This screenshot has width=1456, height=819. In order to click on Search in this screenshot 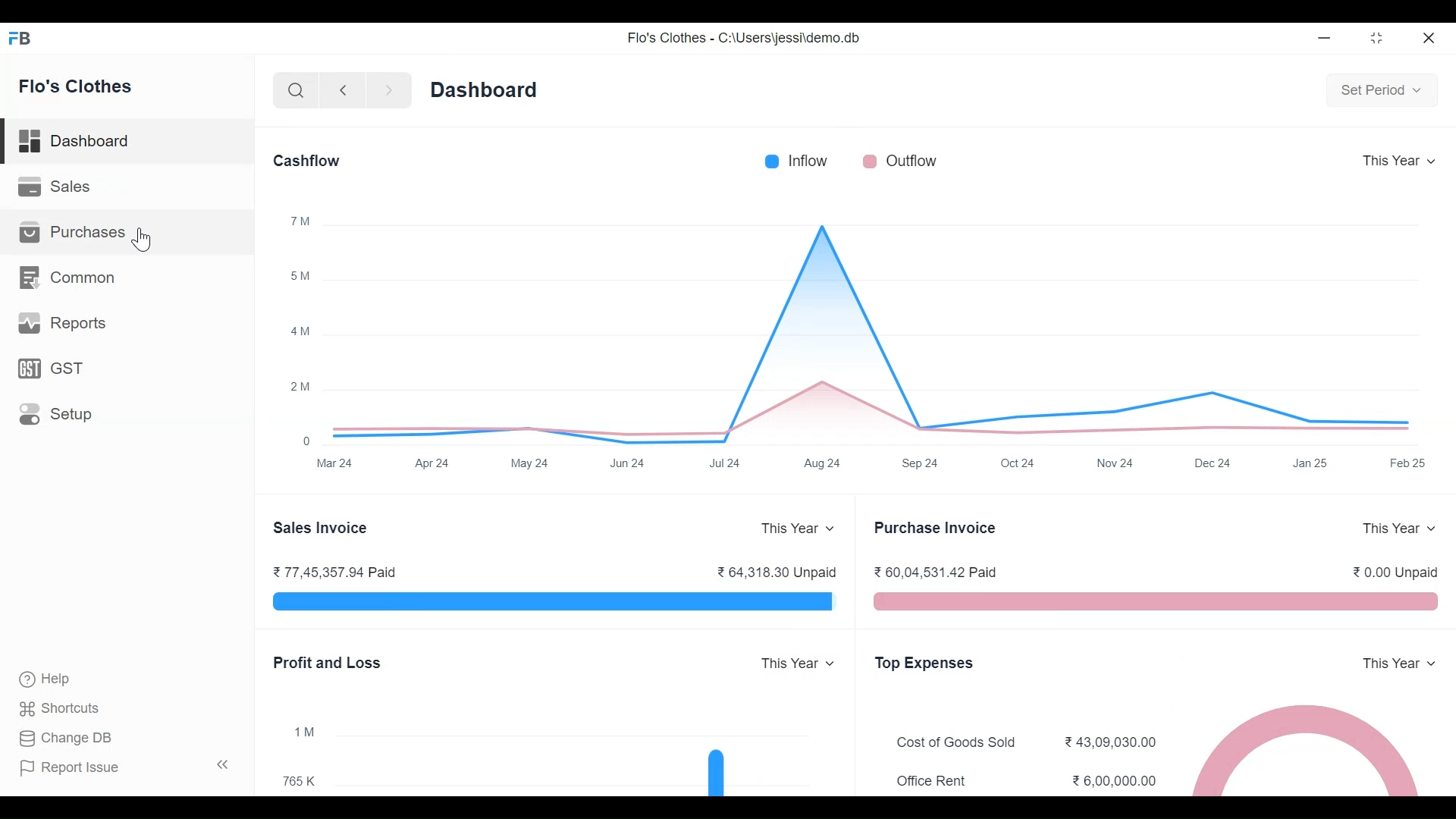, I will do `click(297, 90)`.